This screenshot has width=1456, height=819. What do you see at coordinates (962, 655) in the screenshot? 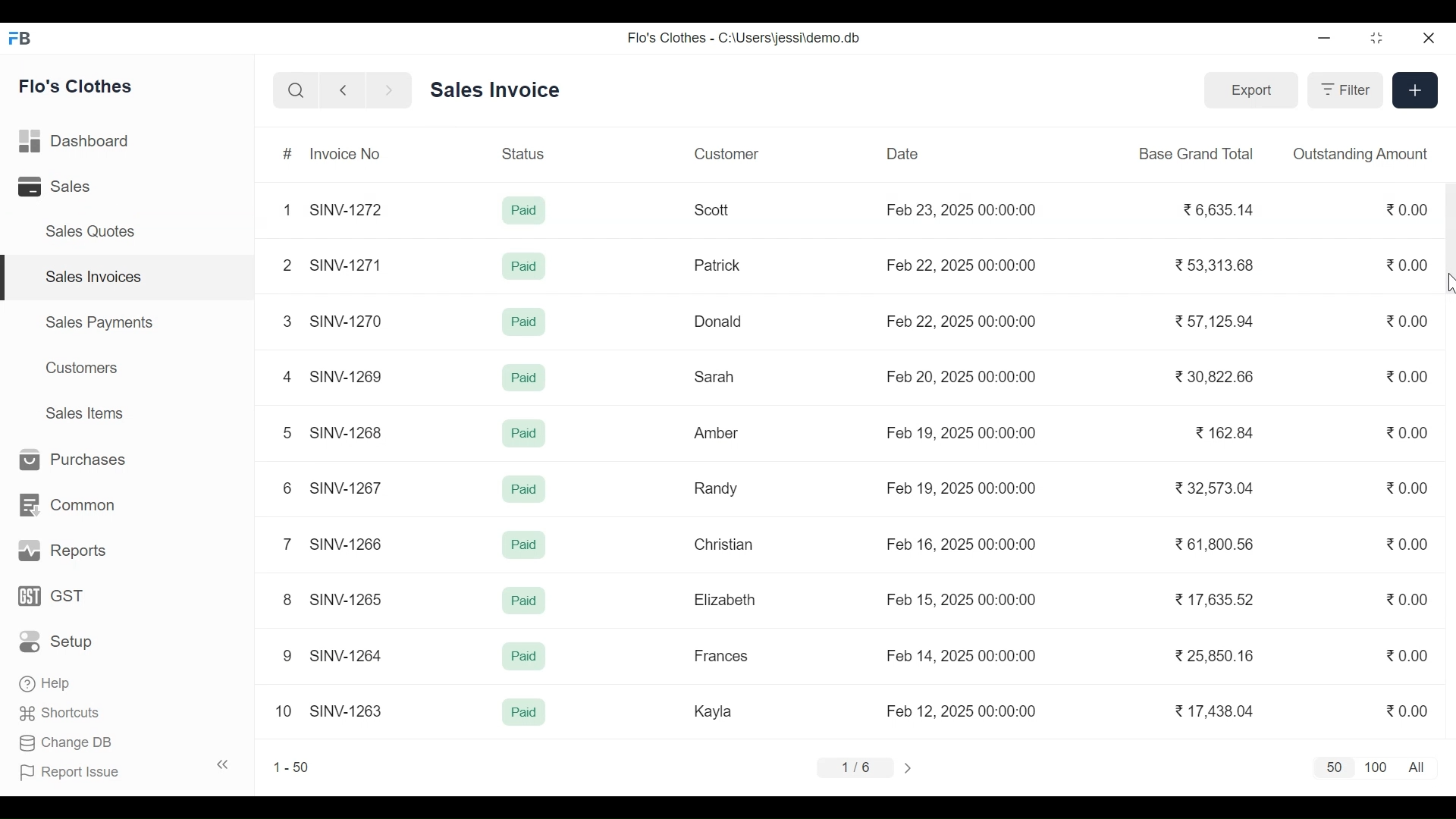
I see `Feb 14, 2025 00:00:00` at bounding box center [962, 655].